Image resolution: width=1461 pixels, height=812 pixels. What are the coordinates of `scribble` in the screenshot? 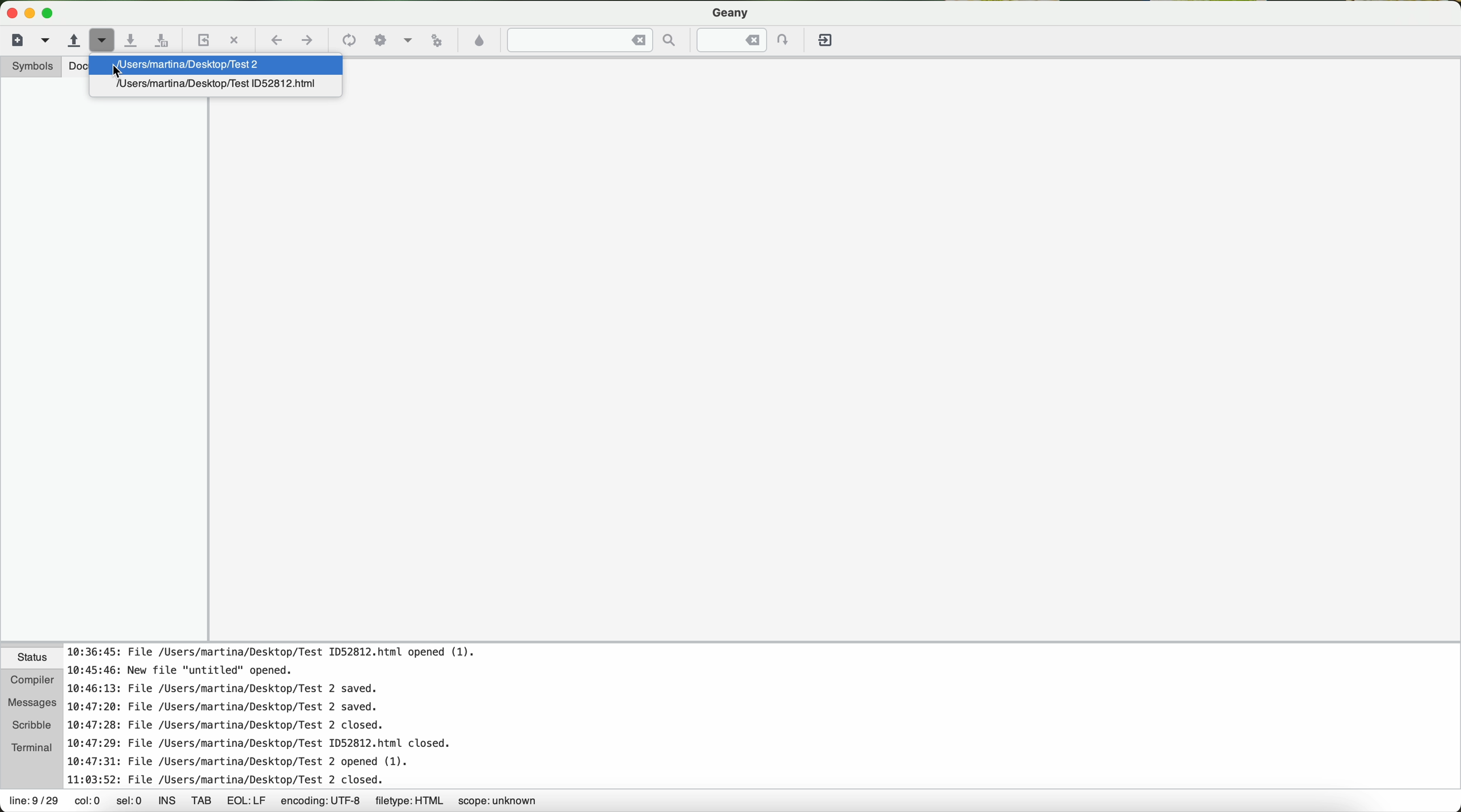 It's located at (28, 725).